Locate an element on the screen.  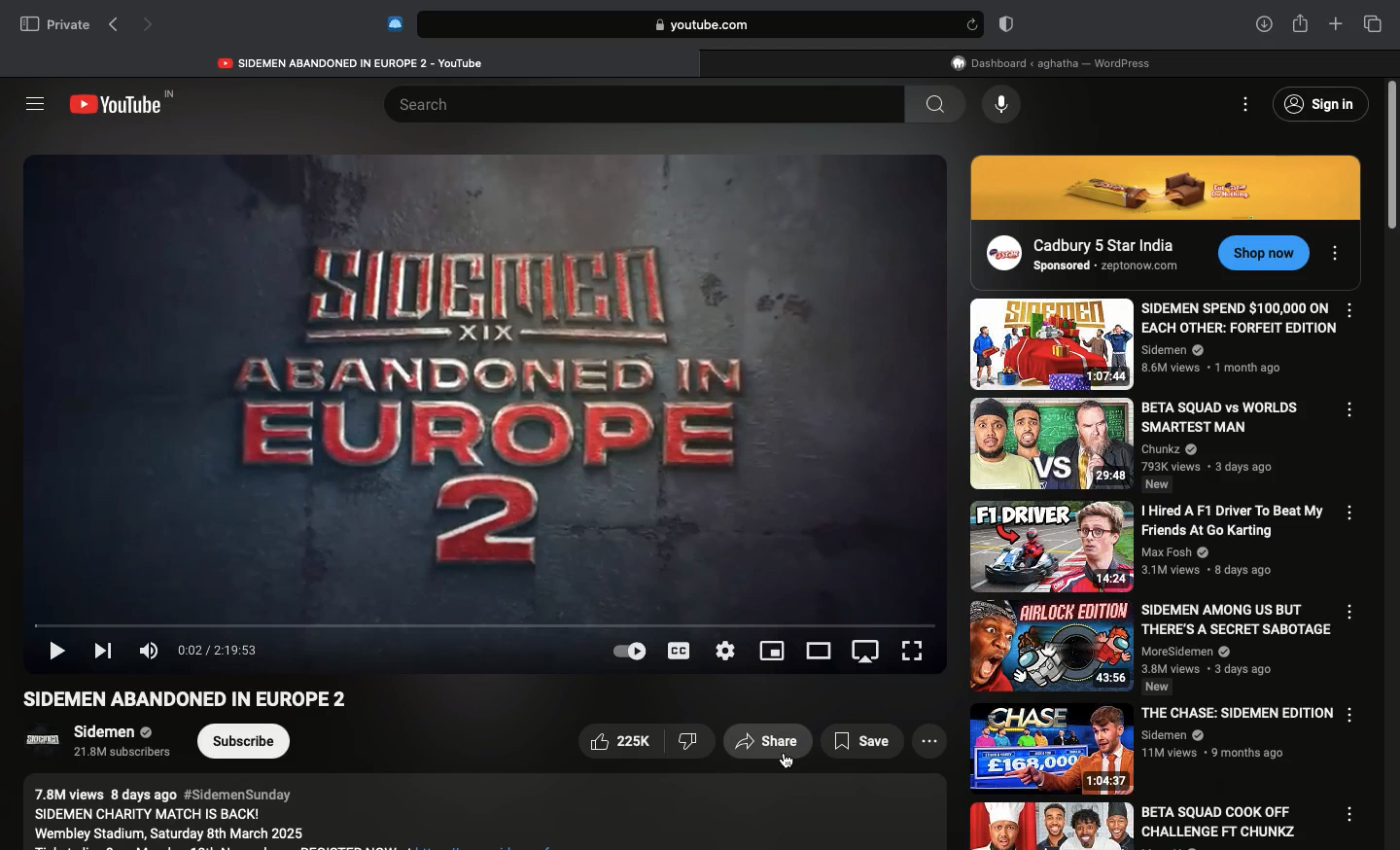
refresh is located at coordinates (970, 24).